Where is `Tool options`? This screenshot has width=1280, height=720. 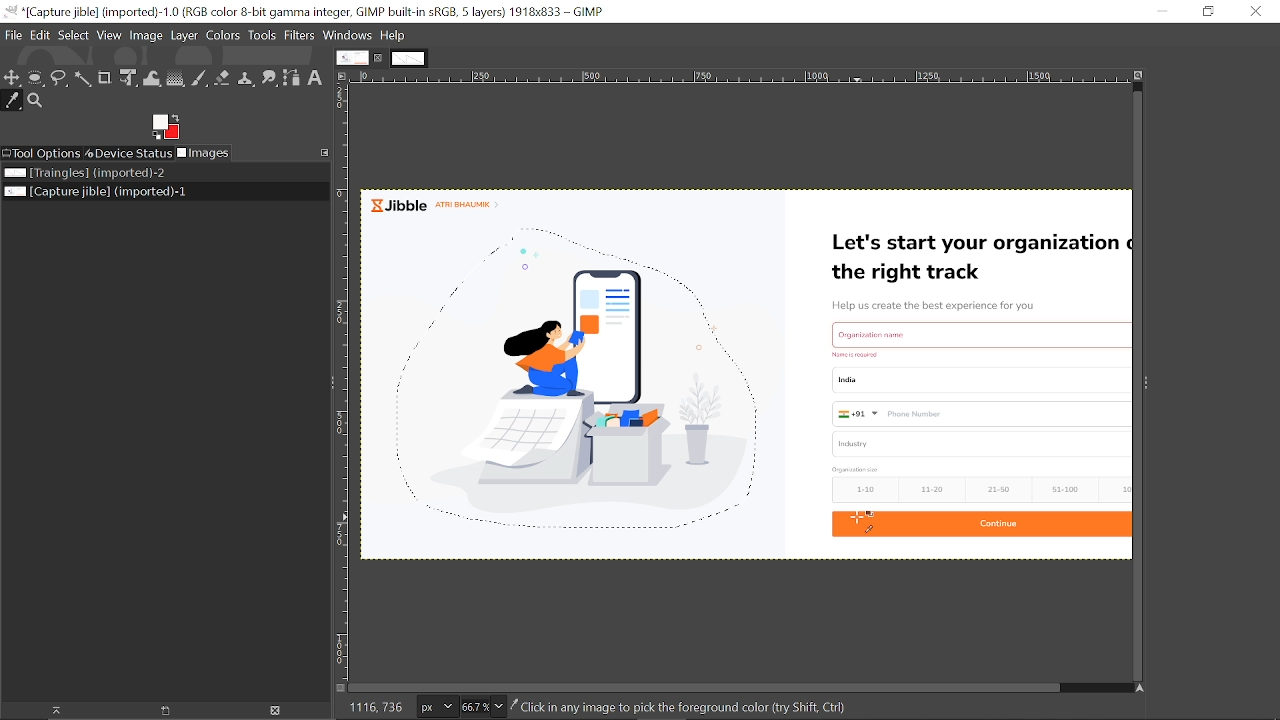 Tool options is located at coordinates (43, 154).